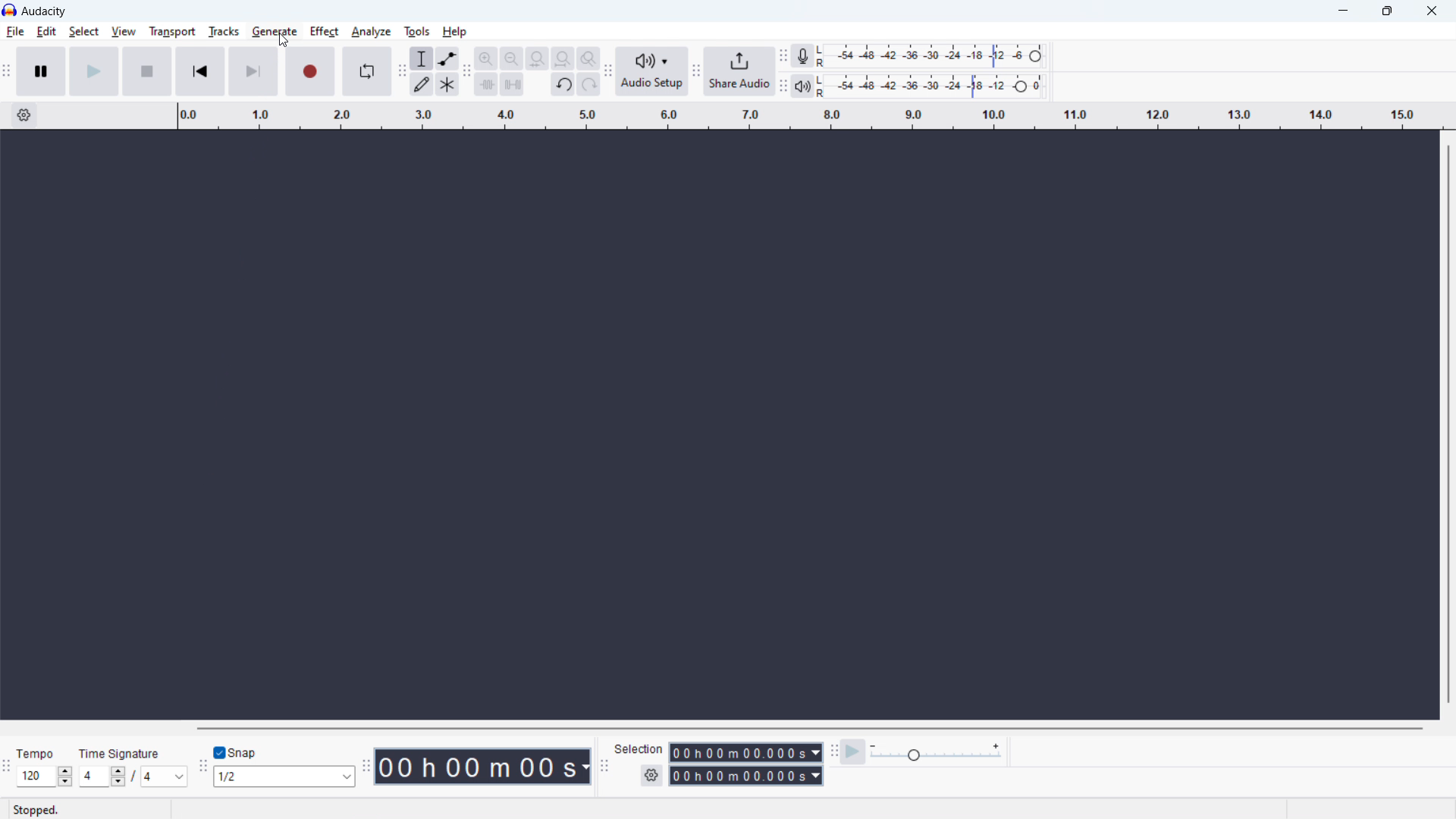 This screenshot has width=1456, height=819. I want to click on audio setup toolbar, so click(607, 71).